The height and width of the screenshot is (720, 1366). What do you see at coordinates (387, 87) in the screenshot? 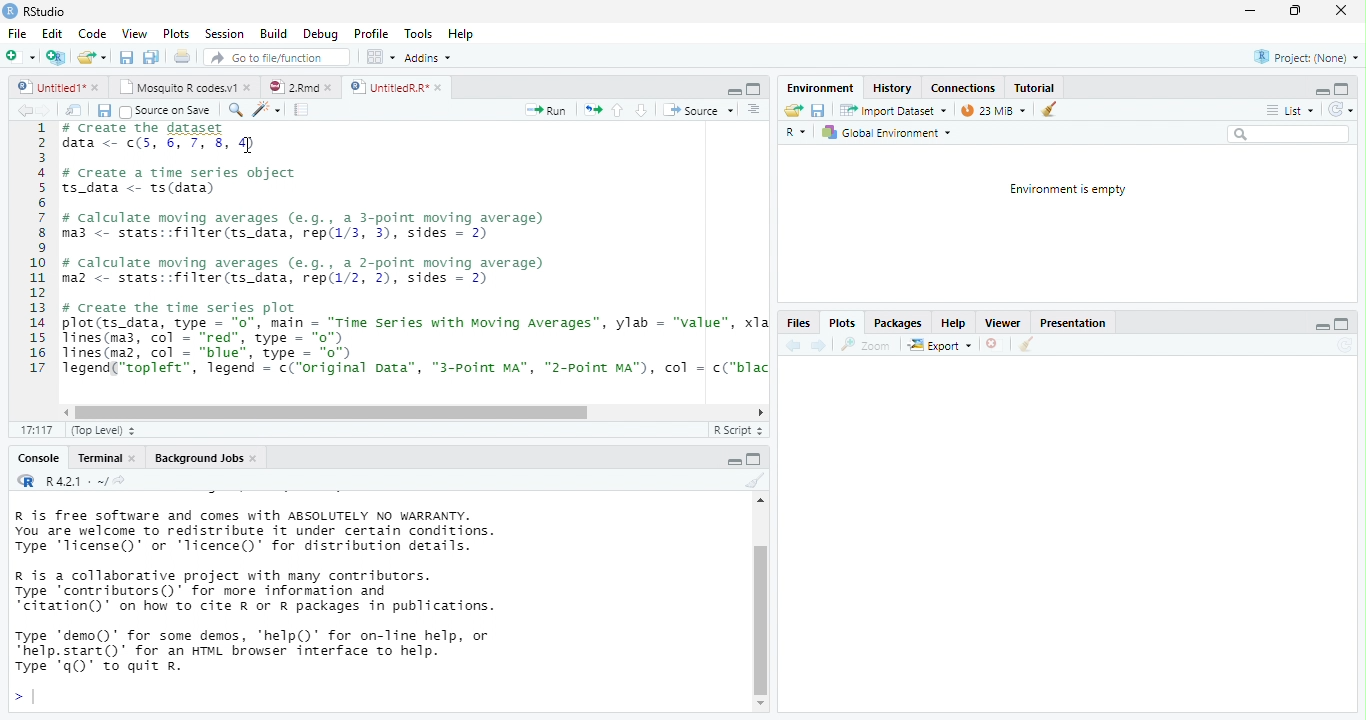
I see `UntitiedR.R"` at bounding box center [387, 87].